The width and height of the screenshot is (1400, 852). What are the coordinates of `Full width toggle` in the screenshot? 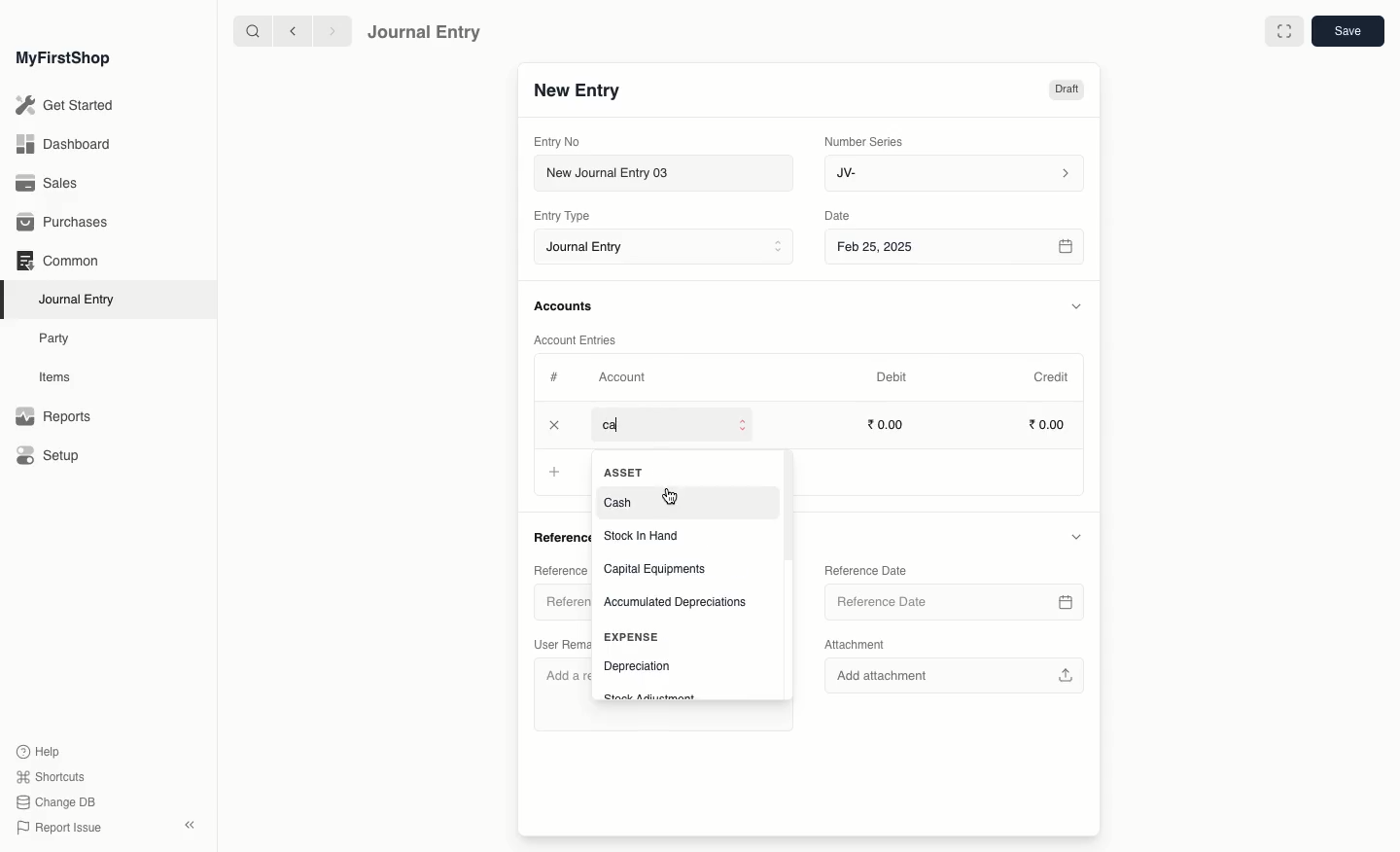 It's located at (1282, 32).